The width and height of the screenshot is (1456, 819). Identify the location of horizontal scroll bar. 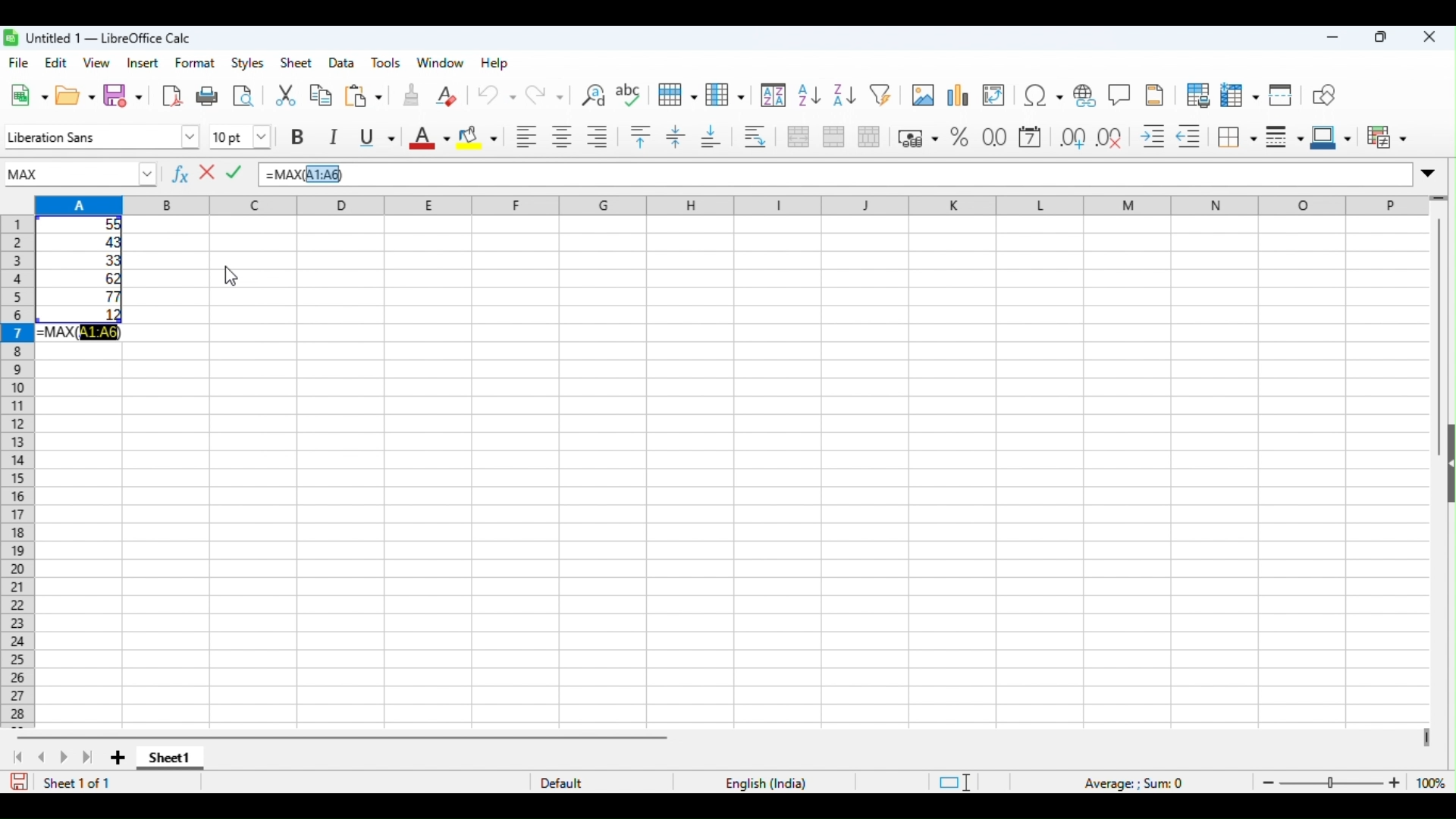
(345, 737).